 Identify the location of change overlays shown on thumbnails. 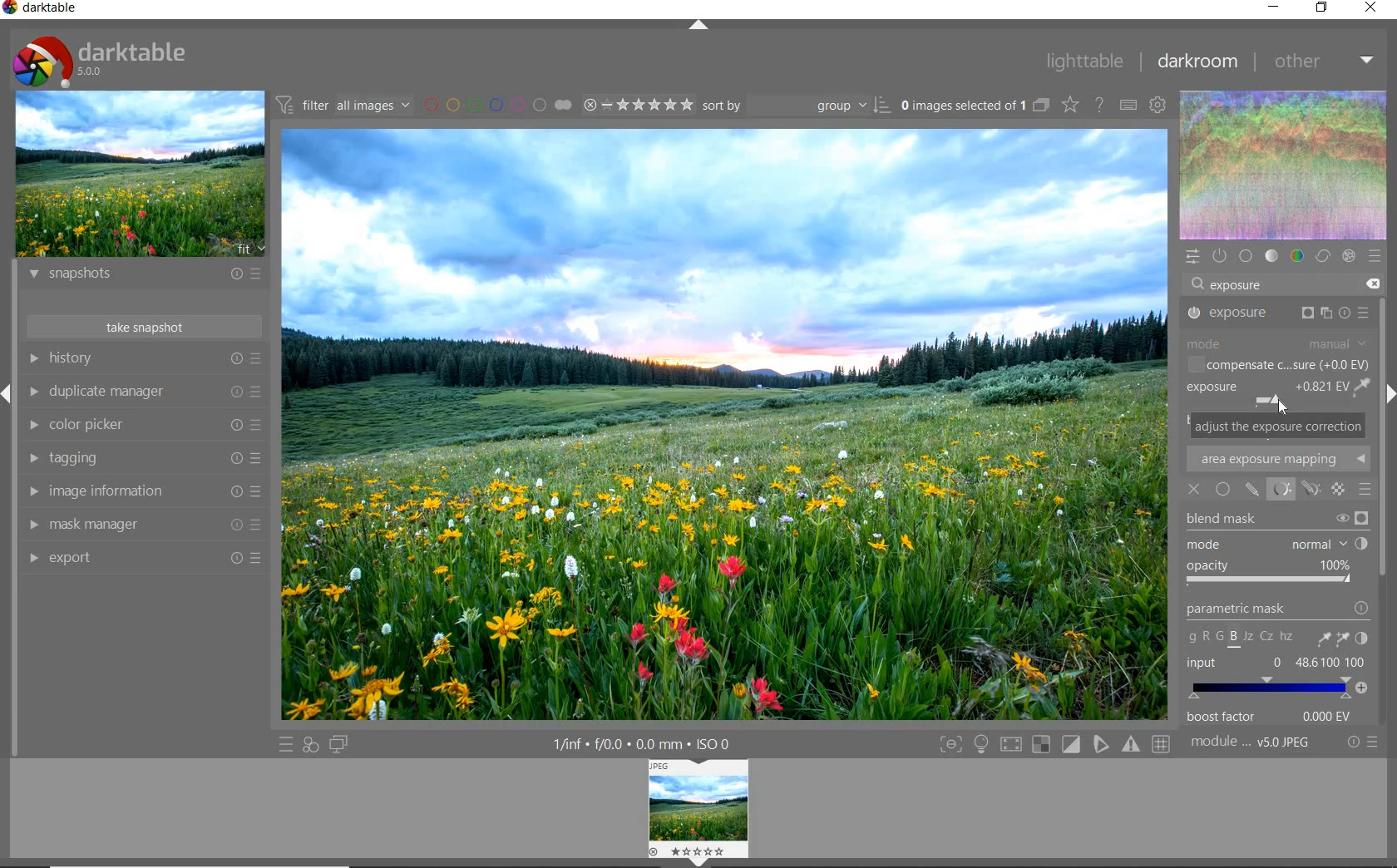
(1069, 106).